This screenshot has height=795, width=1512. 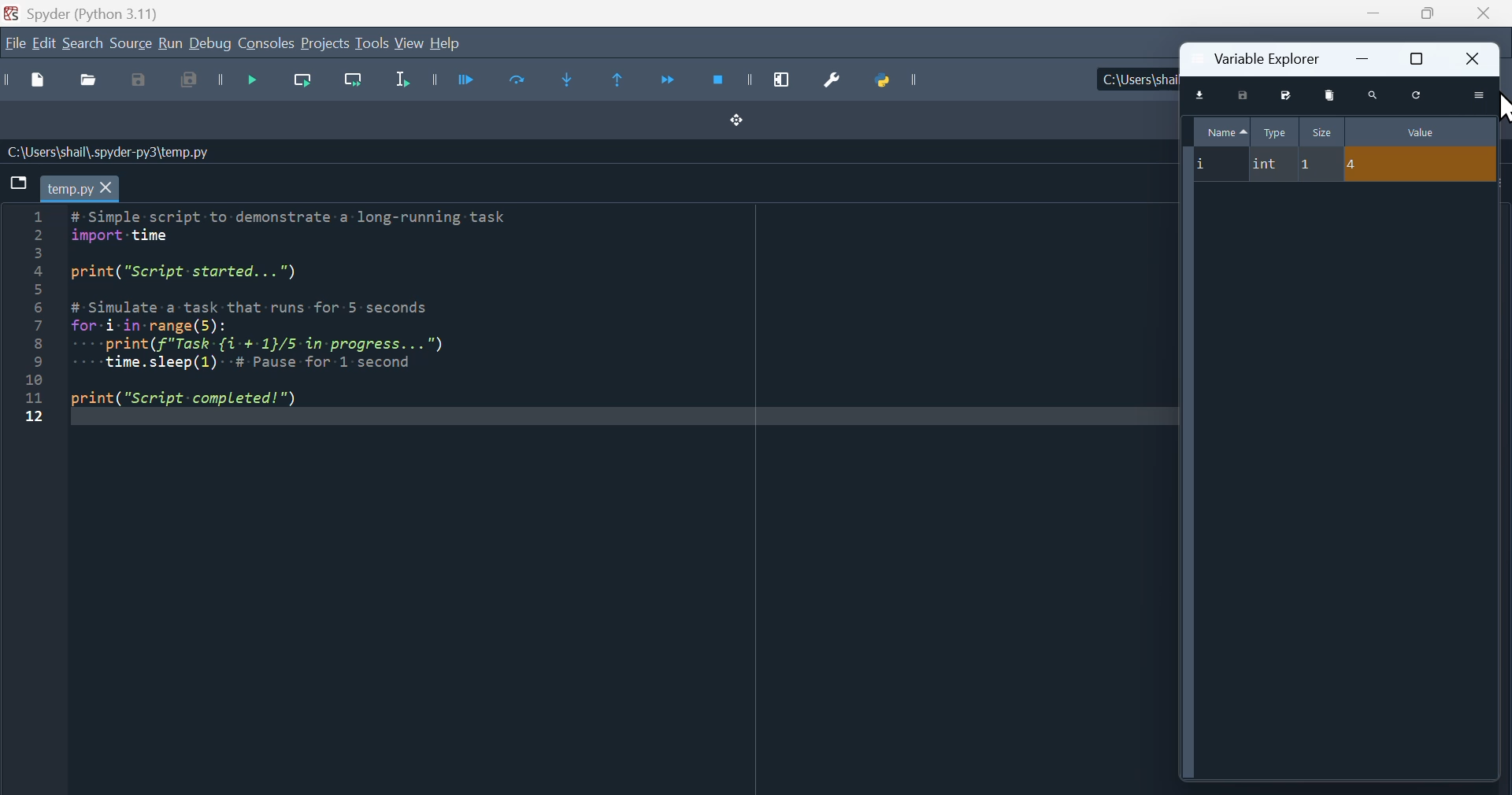 I want to click on temp.py, so click(x=80, y=188).